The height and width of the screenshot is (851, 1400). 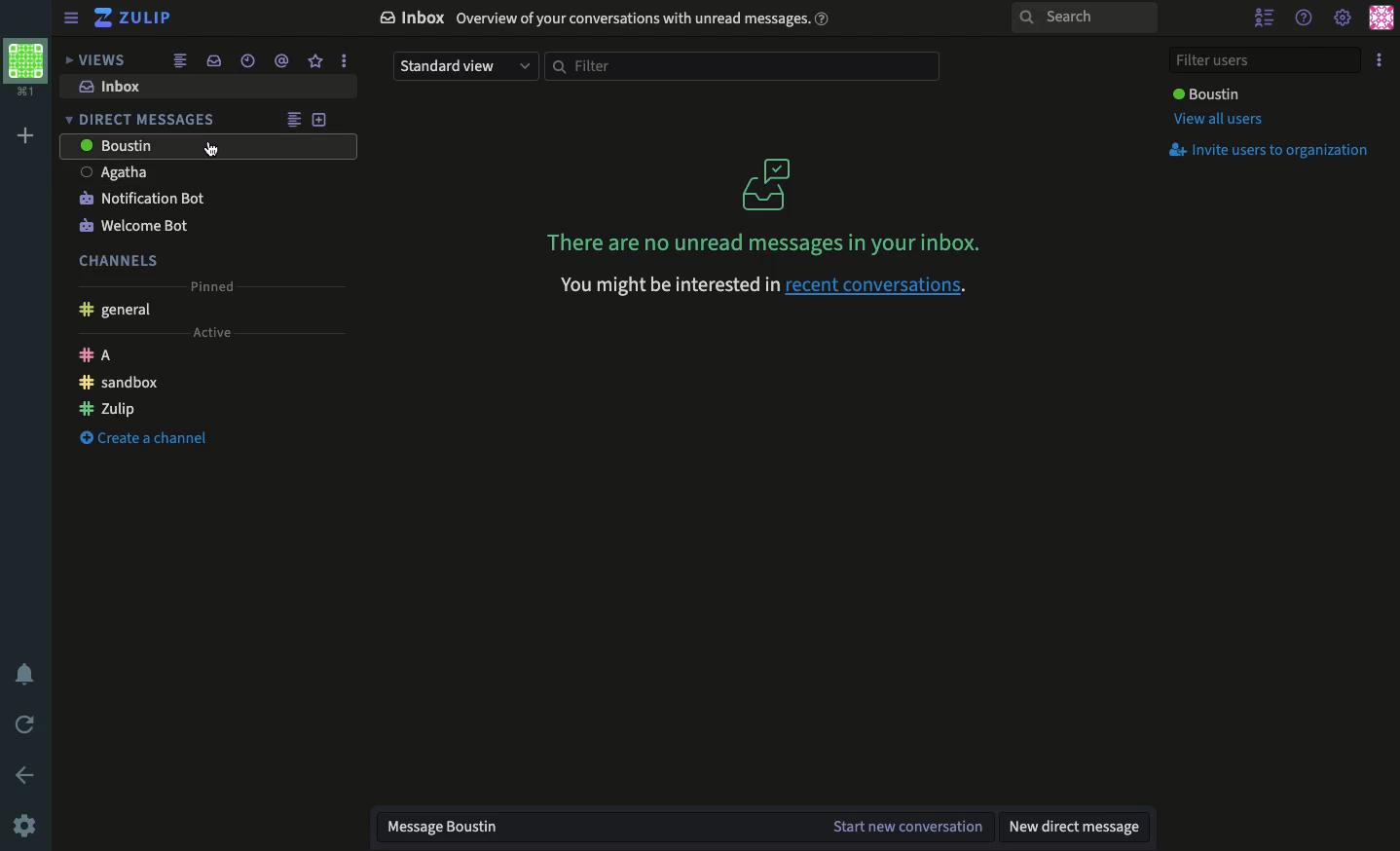 I want to click on Notification bot, so click(x=142, y=198).